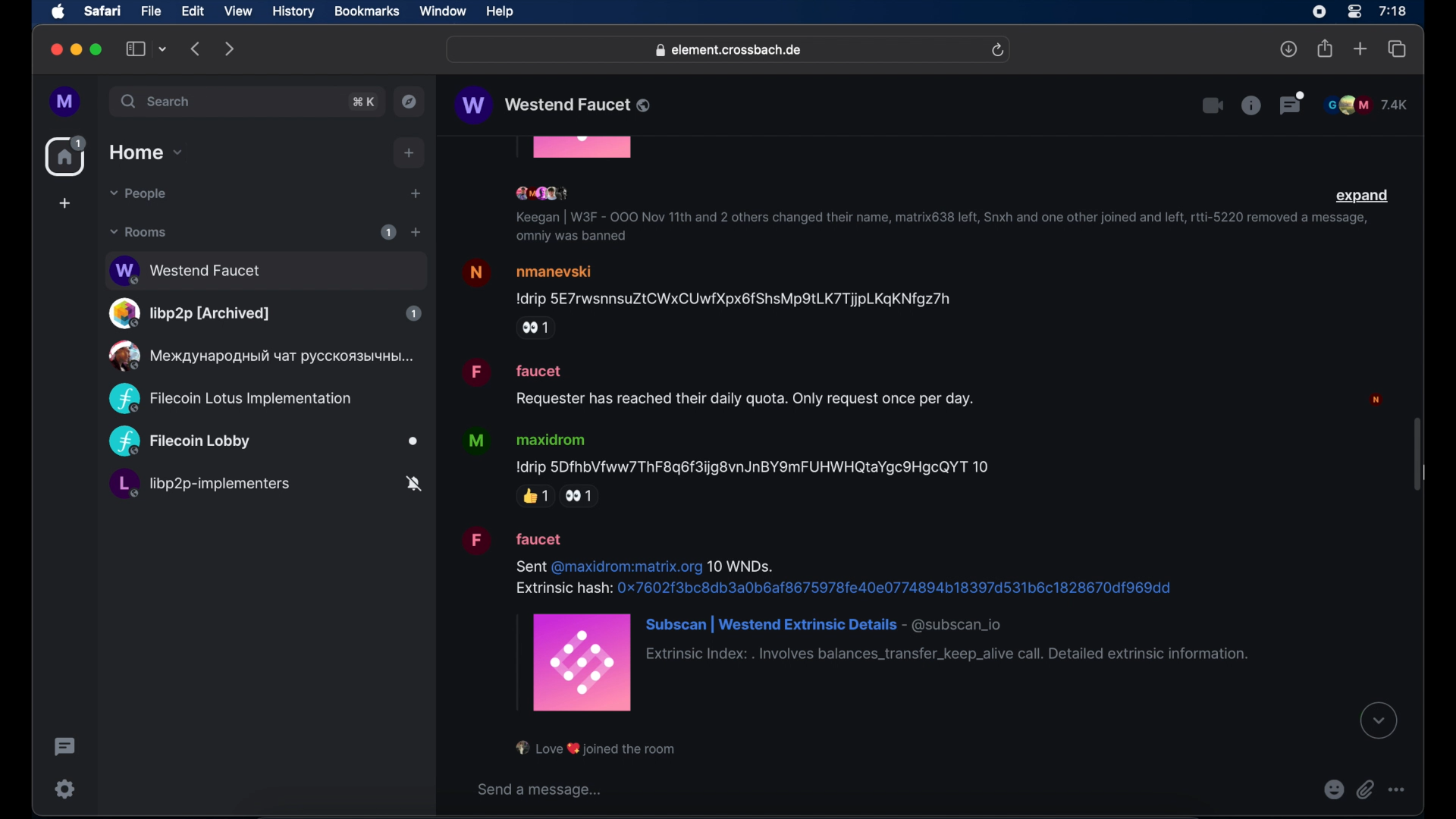 The width and height of the screenshot is (1456, 819). What do you see at coordinates (720, 383) in the screenshot?
I see `message` at bounding box center [720, 383].